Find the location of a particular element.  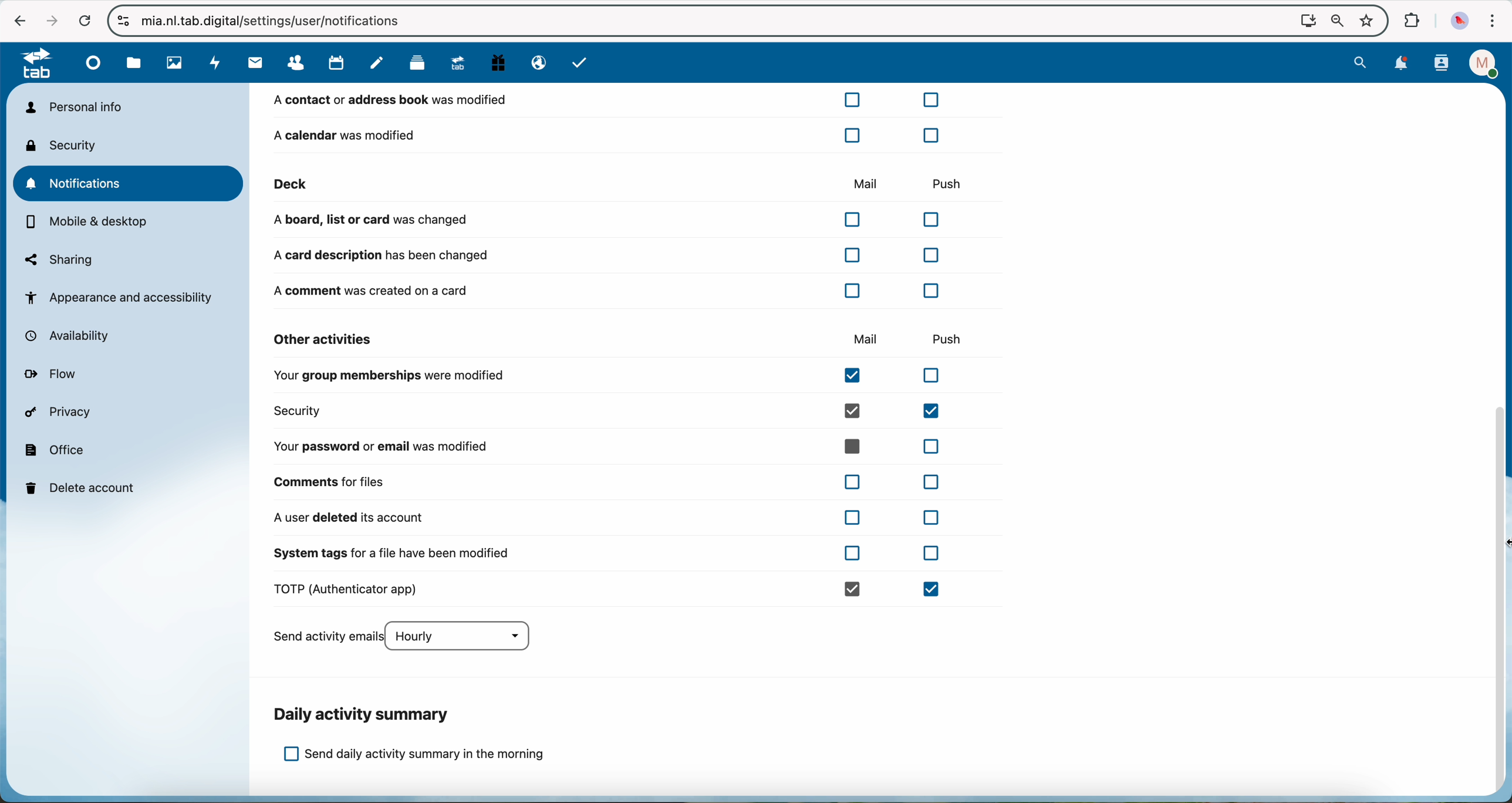

Install NExtcloud is located at coordinates (1305, 20).